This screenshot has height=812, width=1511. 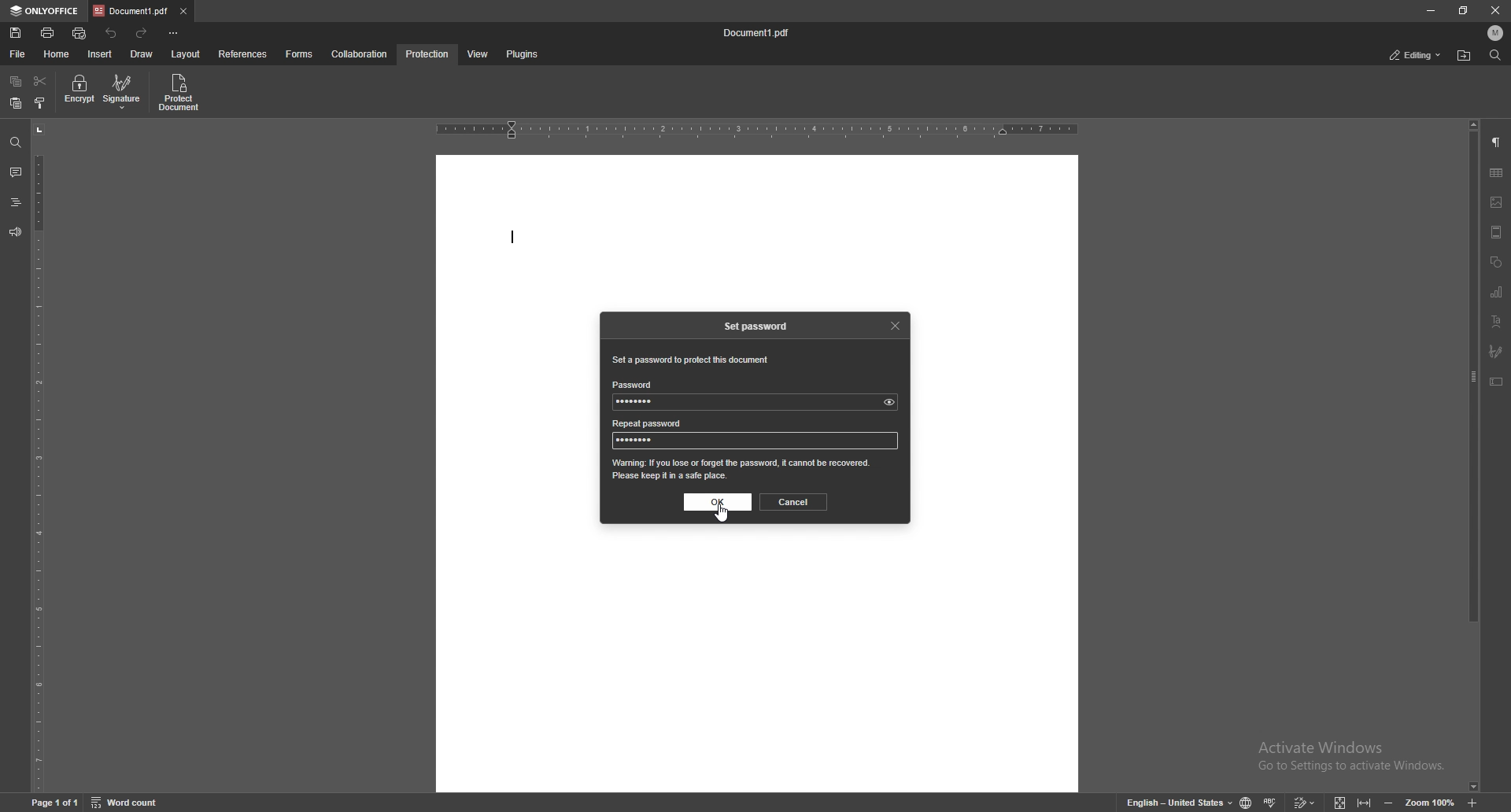 I want to click on fit to screen, so click(x=1340, y=802).